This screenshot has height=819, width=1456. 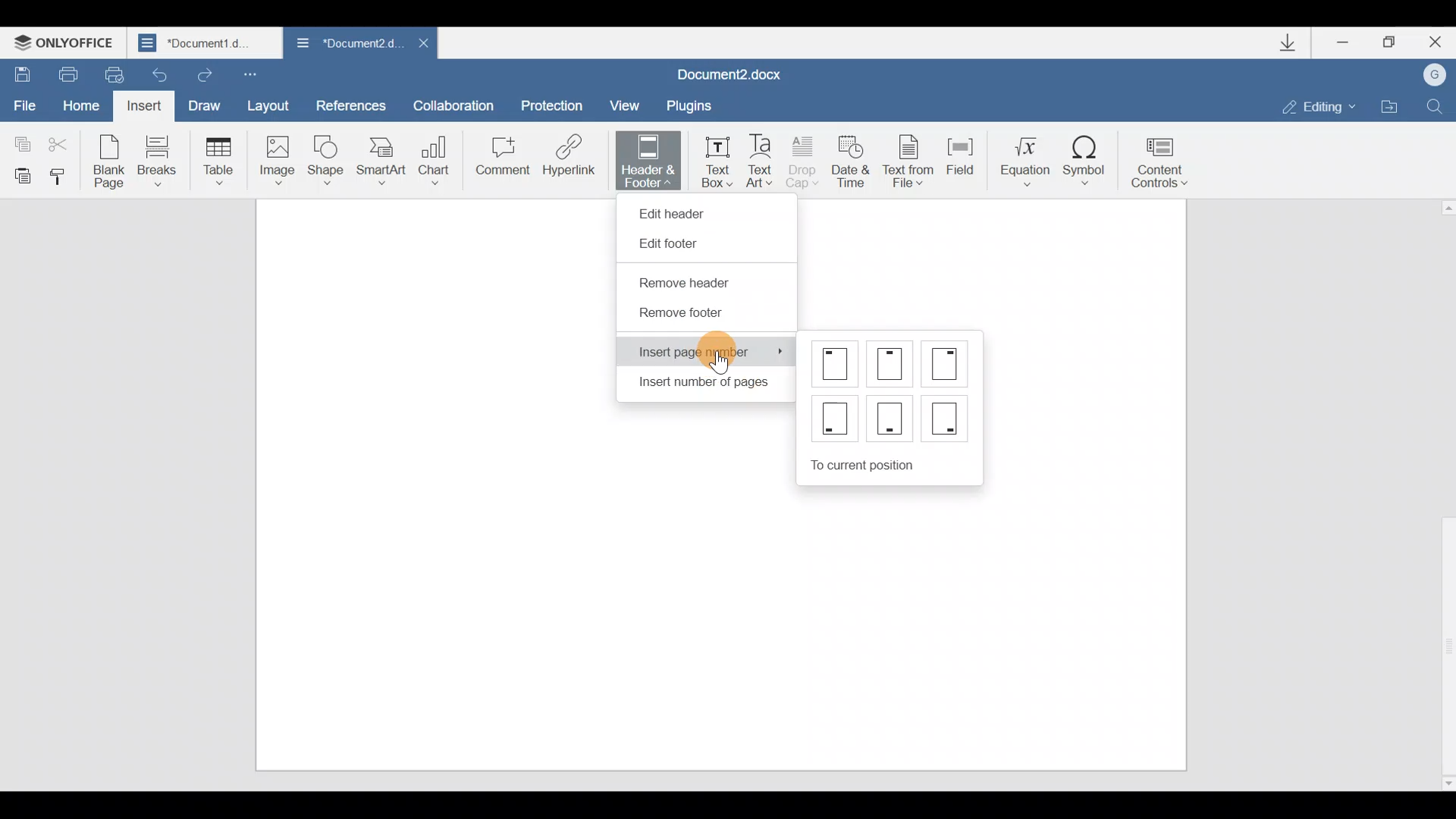 I want to click on Blank page, so click(x=111, y=160).